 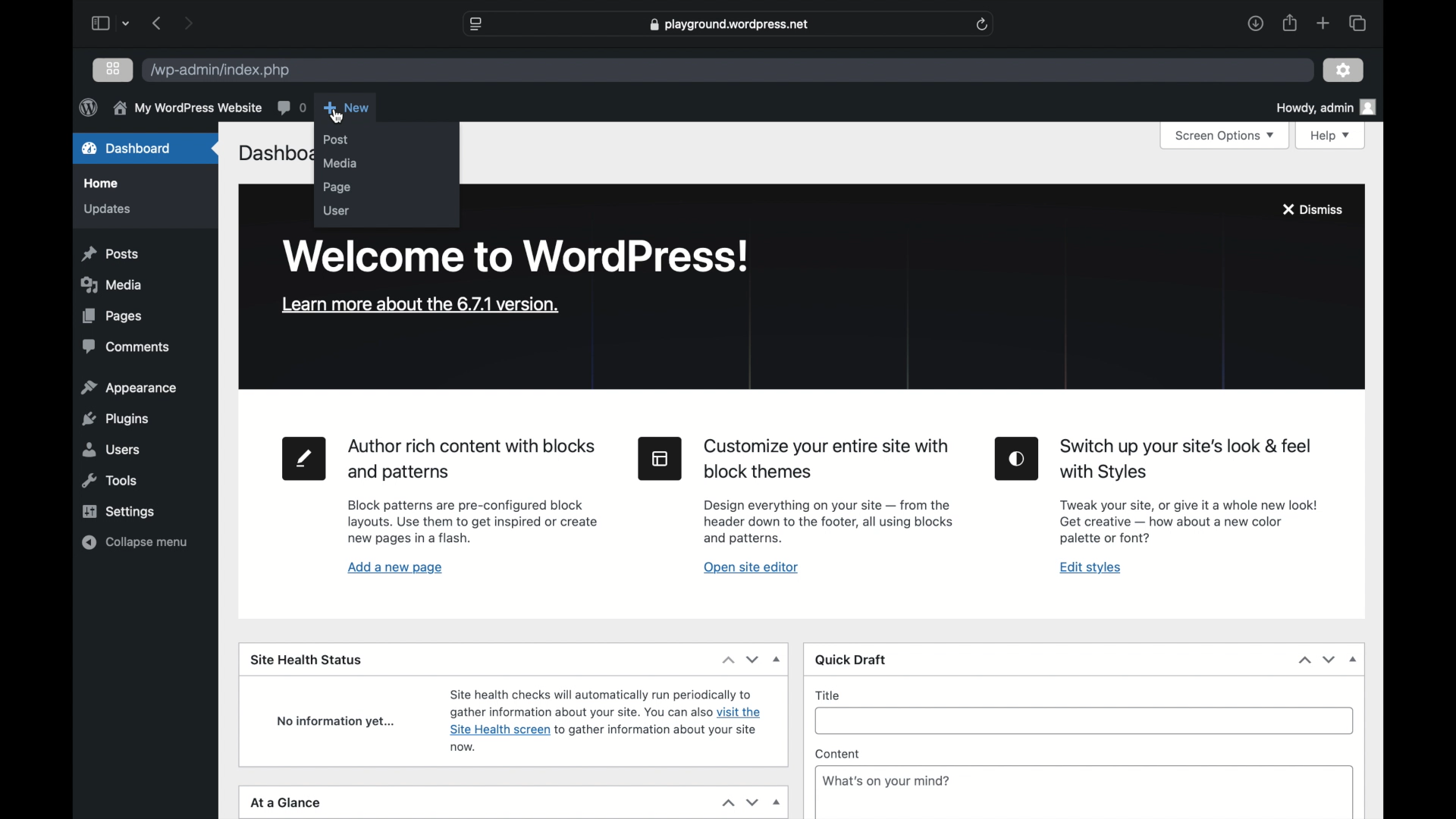 What do you see at coordinates (828, 695) in the screenshot?
I see `title` at bounding box center [828, 695].